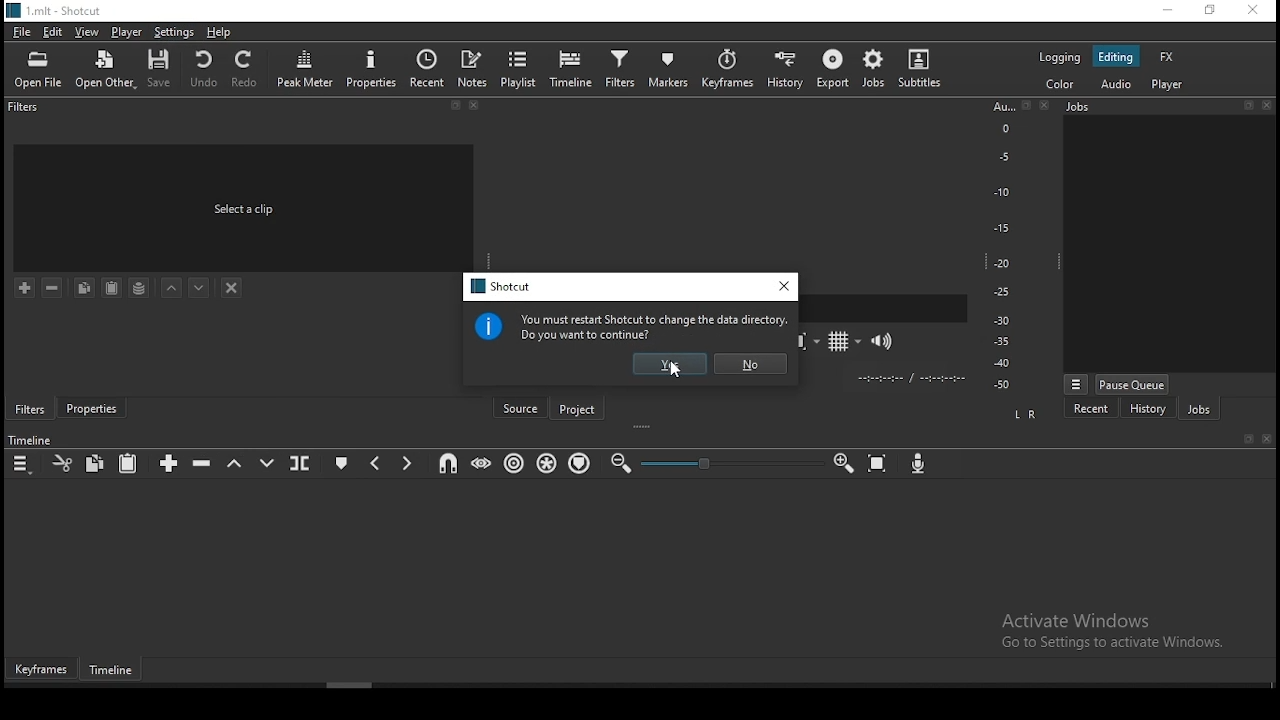 The image size is (1280, 720). I want to click on close, so click(1269, 104).